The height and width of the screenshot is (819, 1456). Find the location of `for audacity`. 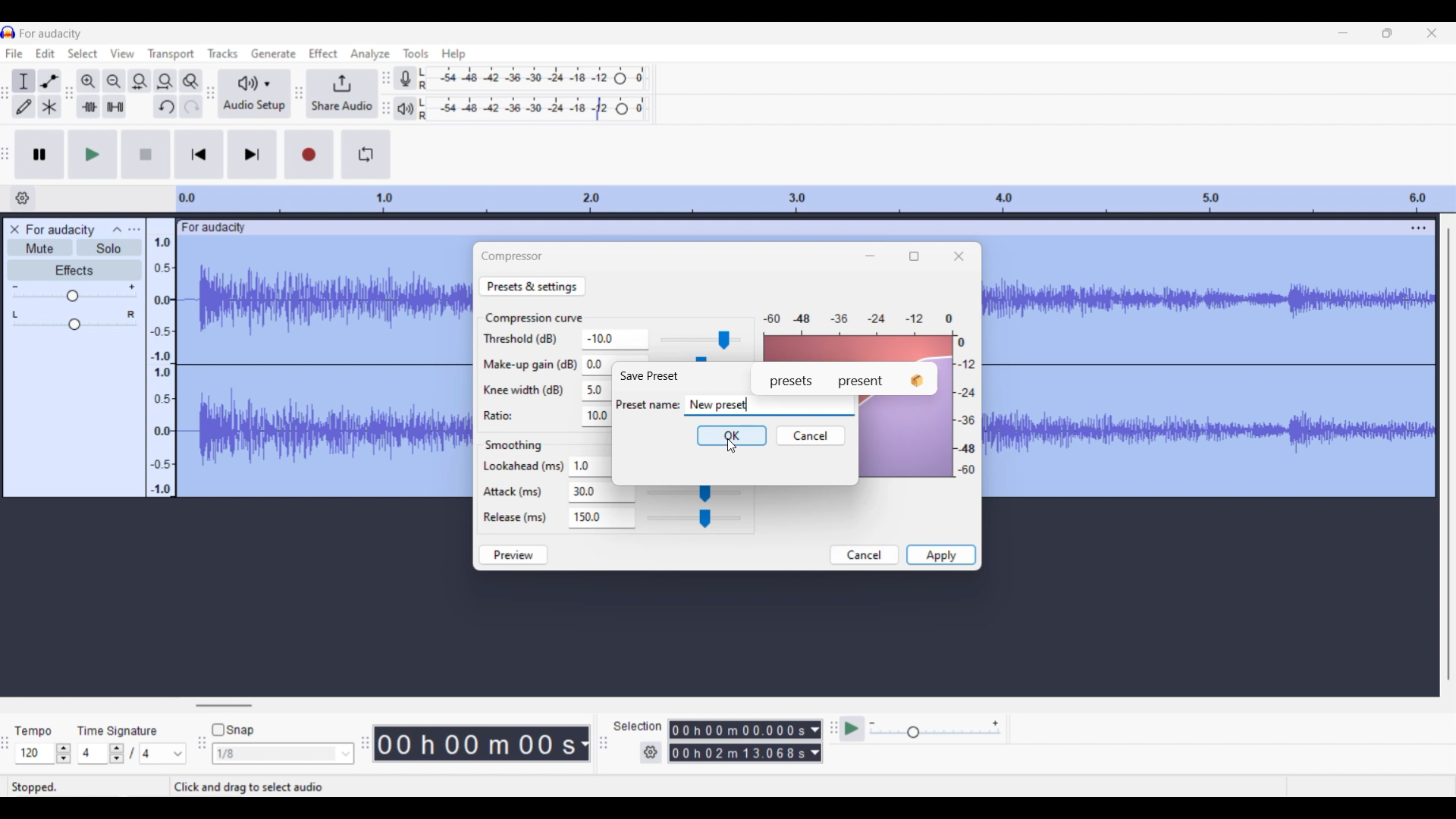

for audacity is located at coordinates (218, 228).